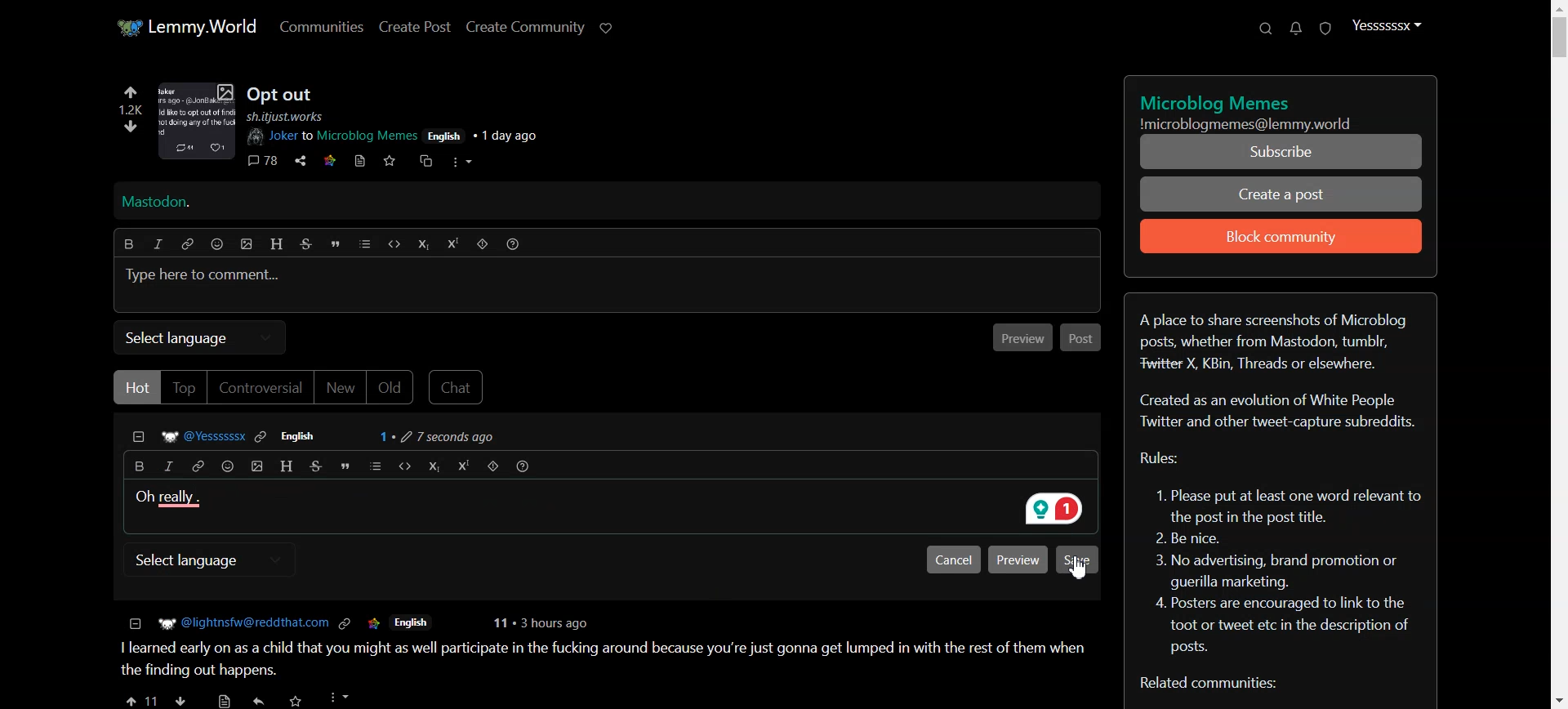  I want to click on Code, so click(402, 466).